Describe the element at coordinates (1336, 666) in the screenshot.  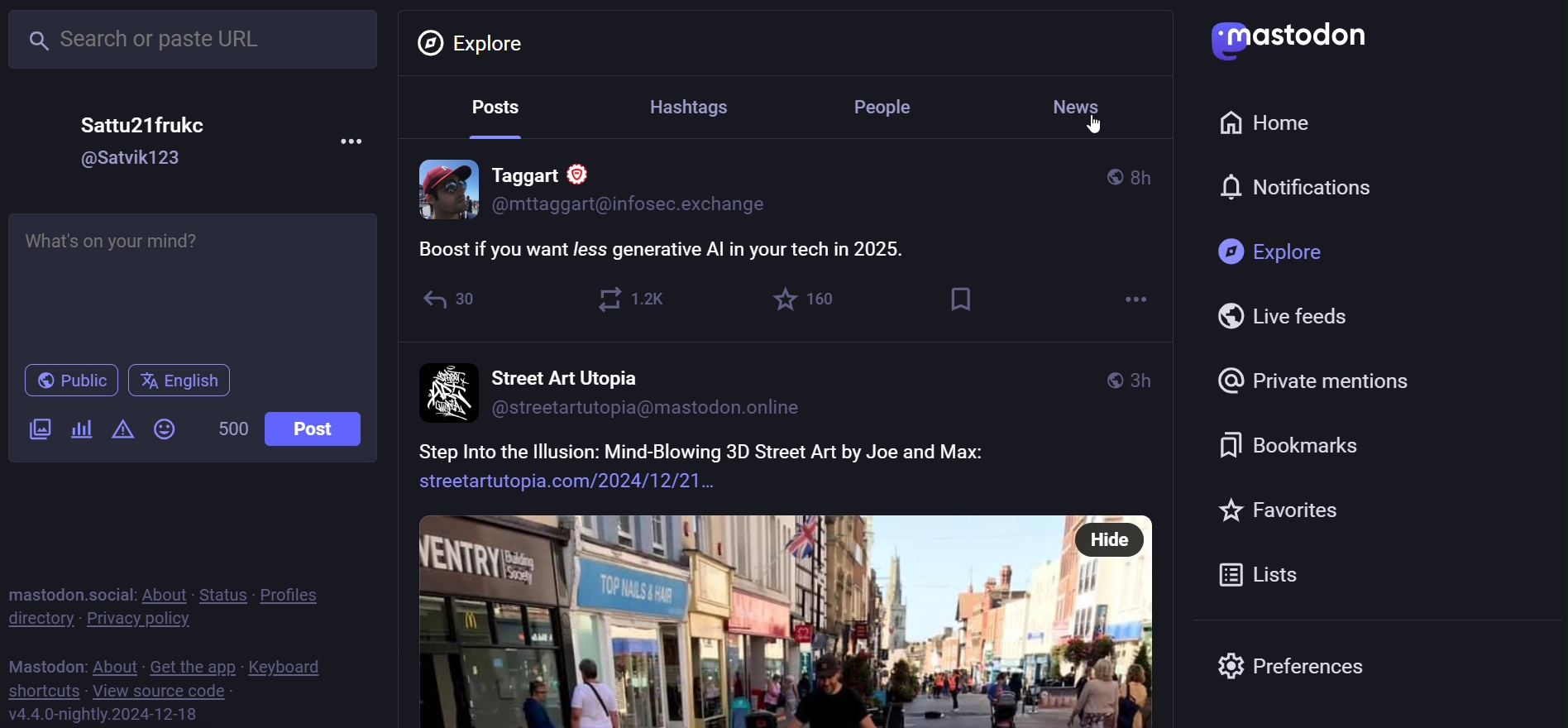
I see `preferences` at that location.